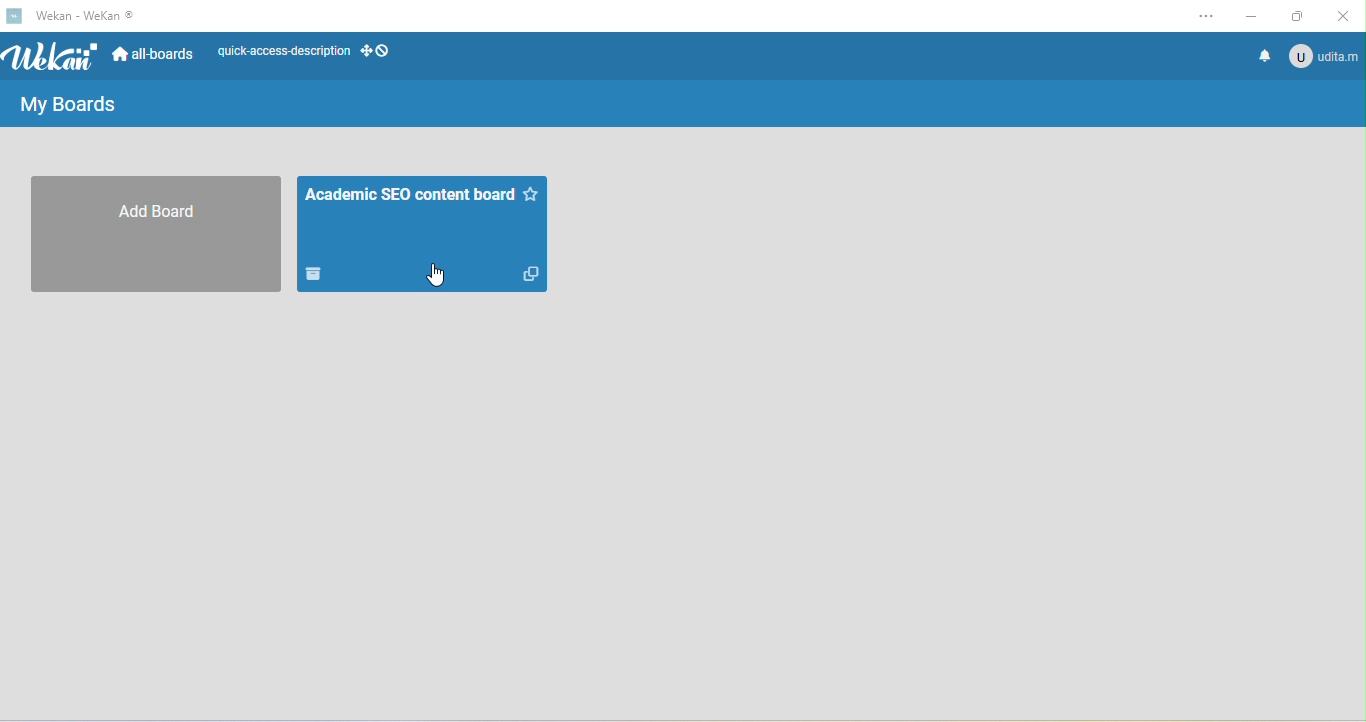 This screenshot has height=722, width=1366. What do you see at coordinates (278, 52) in the screenshot?
I see `quick access description` at bounding box center [278, 52].